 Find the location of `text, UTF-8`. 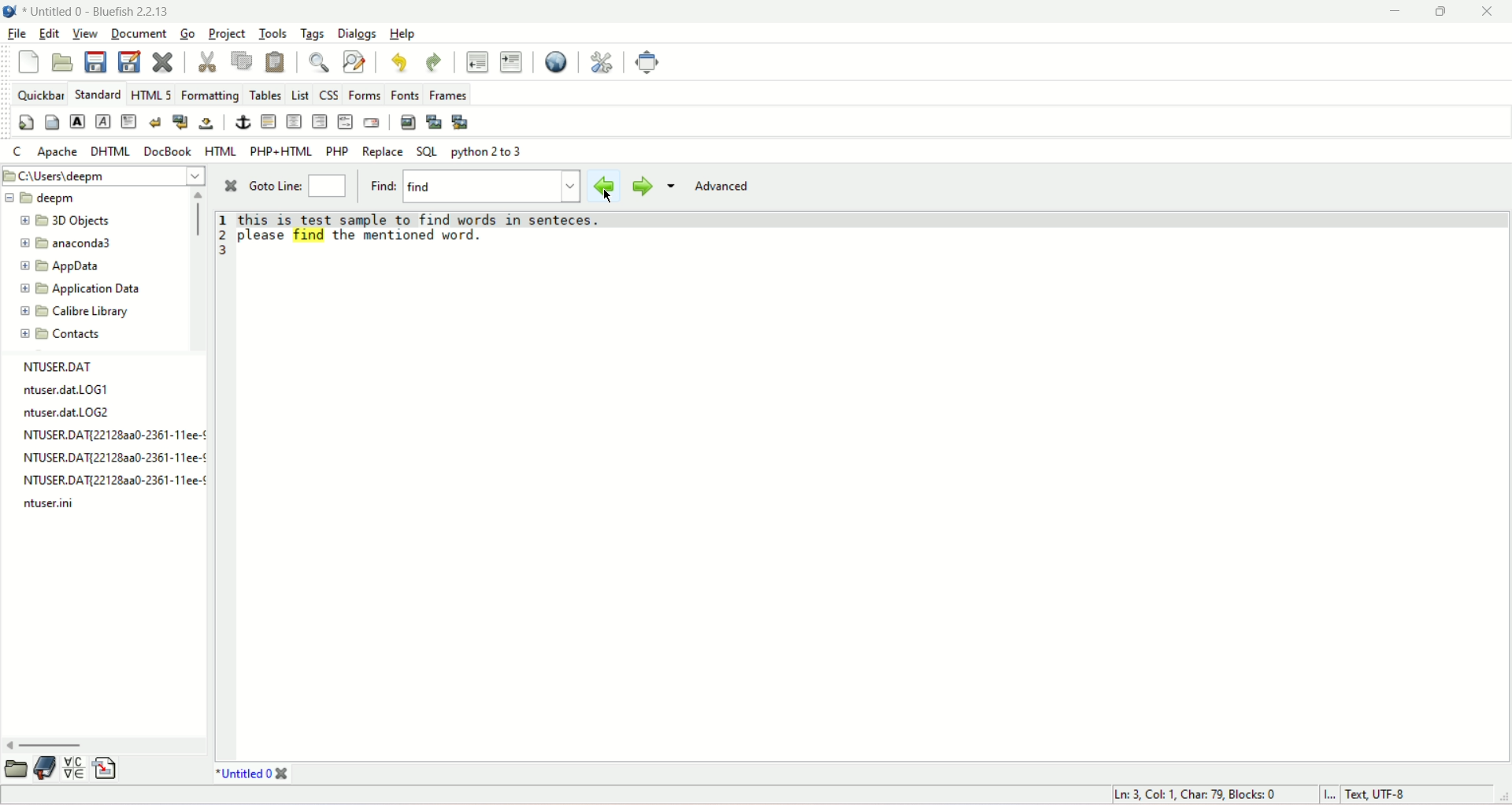

text, UTF-8 is located at coordinates (1376, 793).